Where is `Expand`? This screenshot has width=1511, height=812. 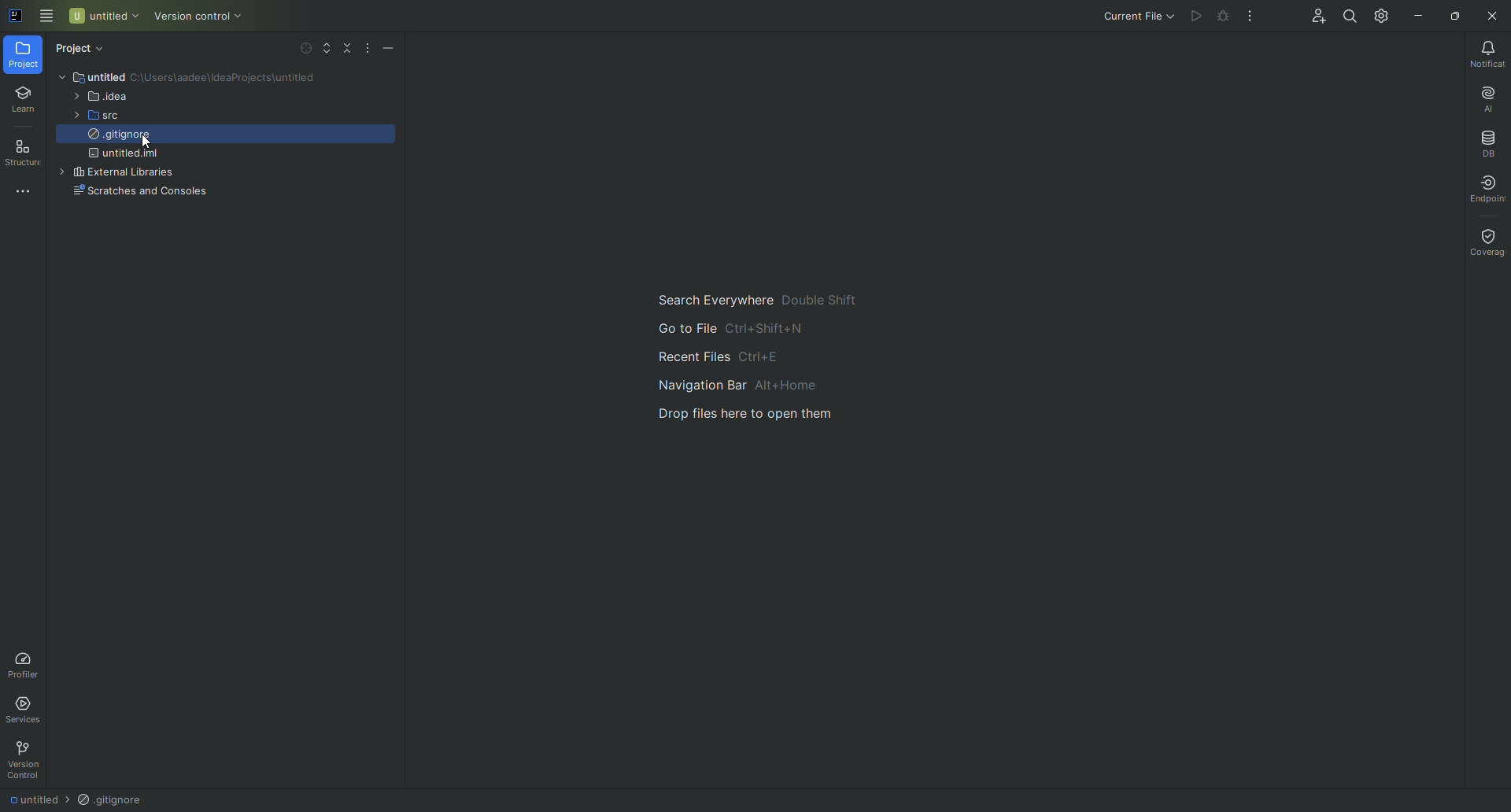 Expand is located at coordinates (330, 48).